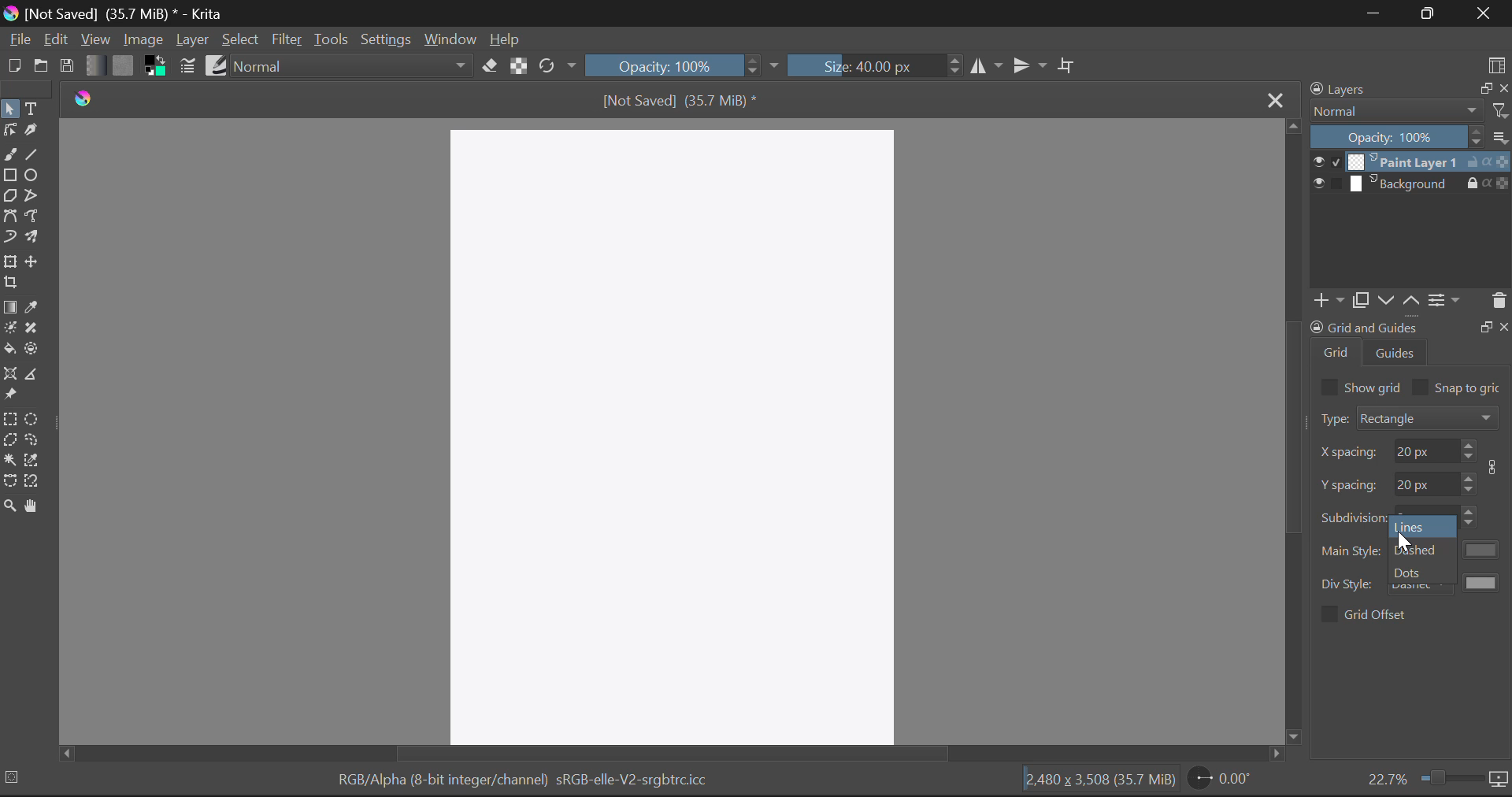 This screenshot has height=797, width=1512. I want to click on Polygon Selection, so click(9, 442).